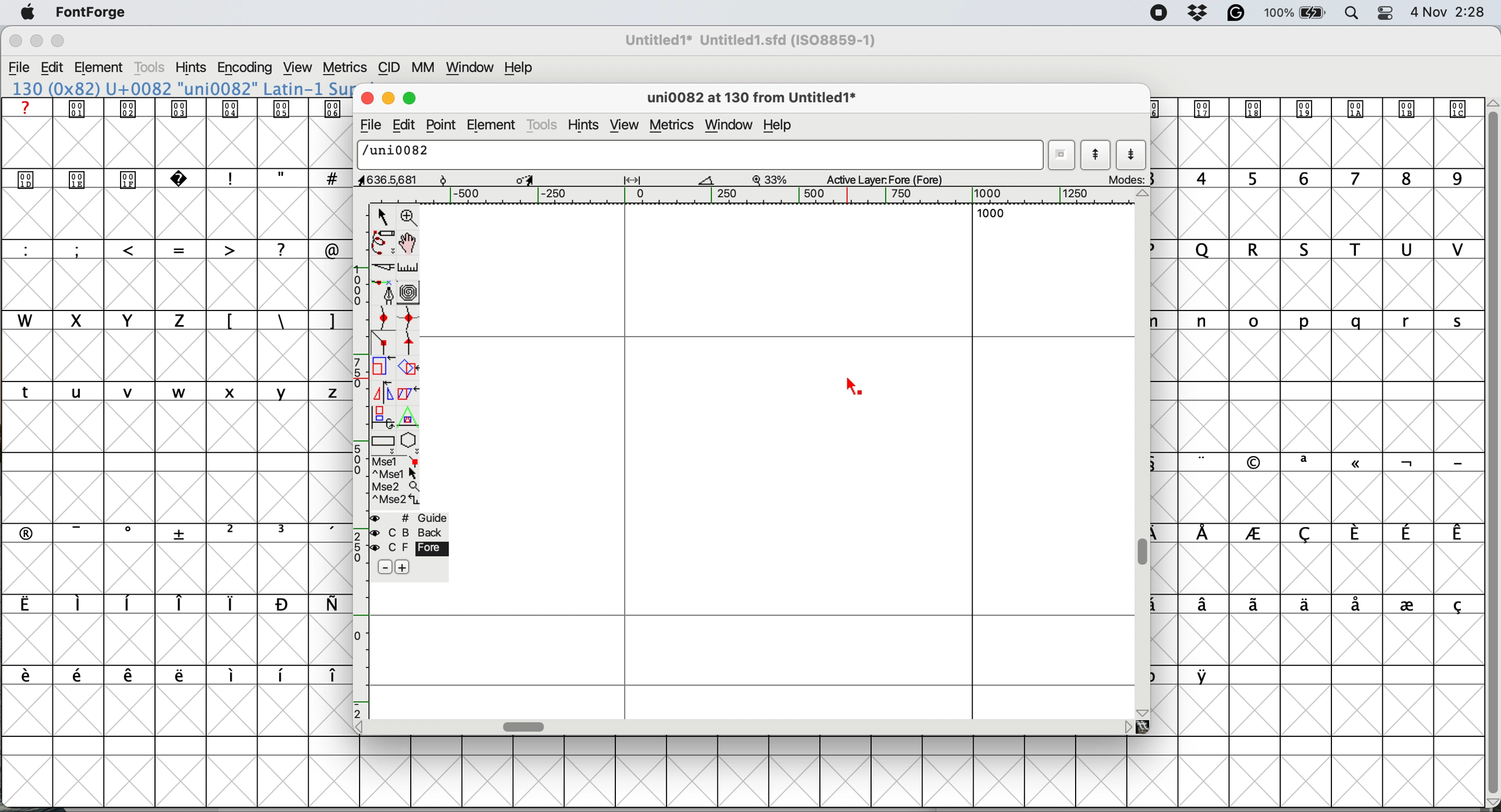 This screenshot has width=1501, height=812. What do you see at coordinates (1384, 13) in the screenshot?
I see `control center` at bounding box center [1384, 13].